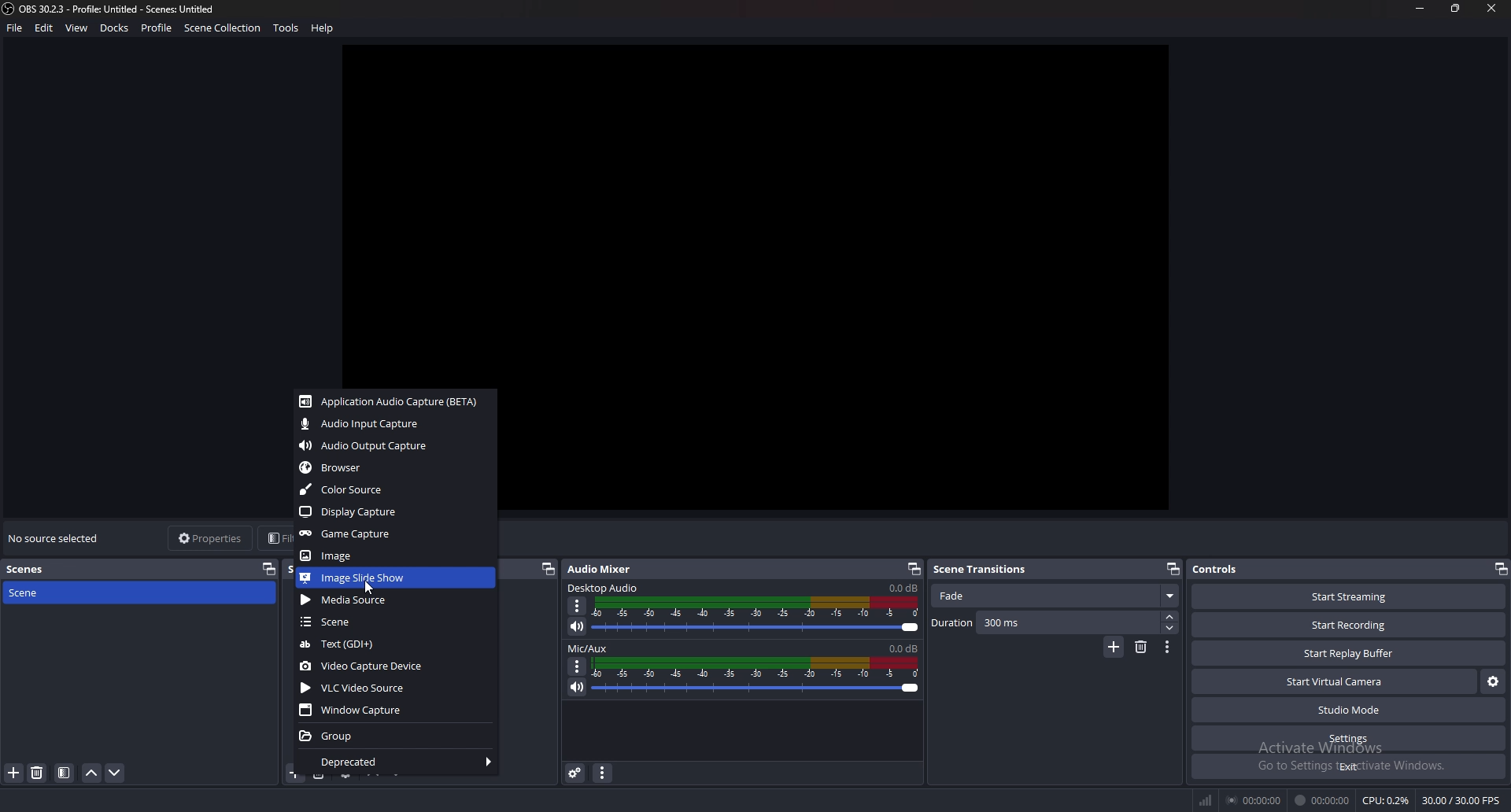 The width and height of the screenshot is (1511, 812). I want to click on streaming time, so click(1256, 799).